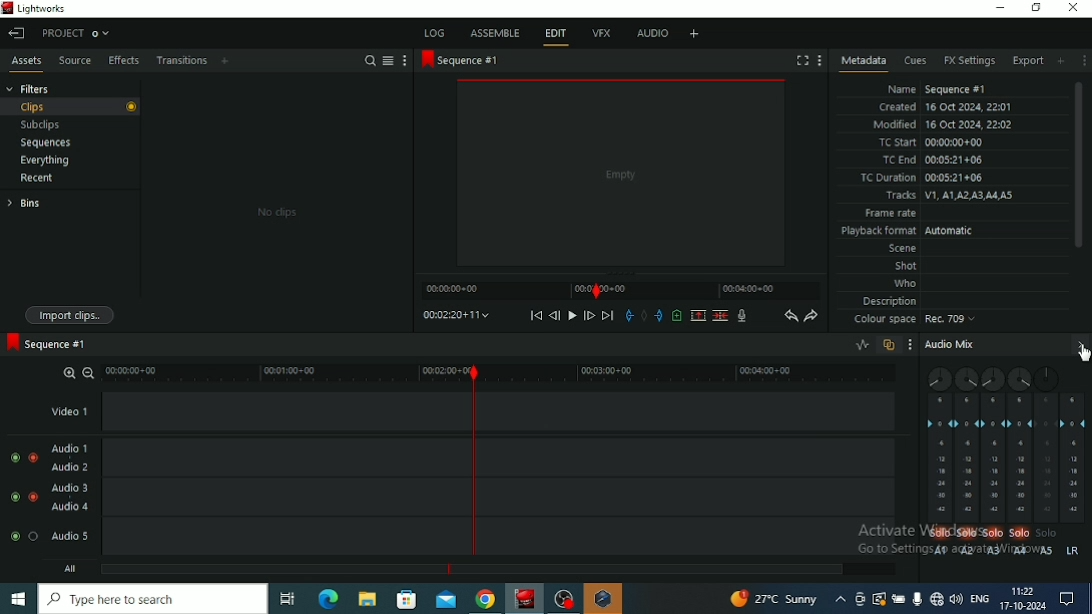 The image size is (1092, 614). Describe the element at coordinates (934, 87) in the screenshot. I see `Name` at that location.